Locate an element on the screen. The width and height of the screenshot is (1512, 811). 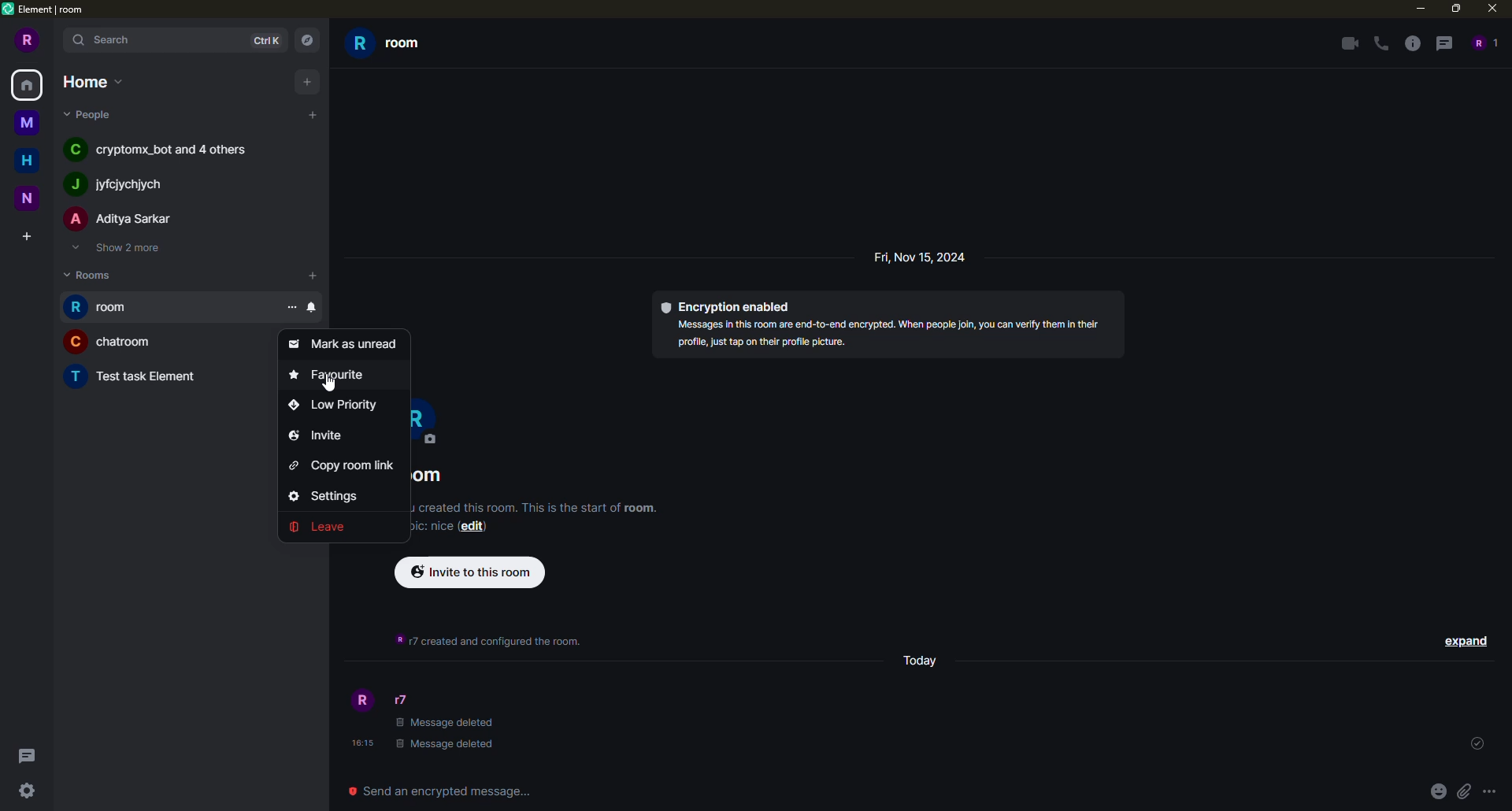
search is located at coordinates (105, 41).